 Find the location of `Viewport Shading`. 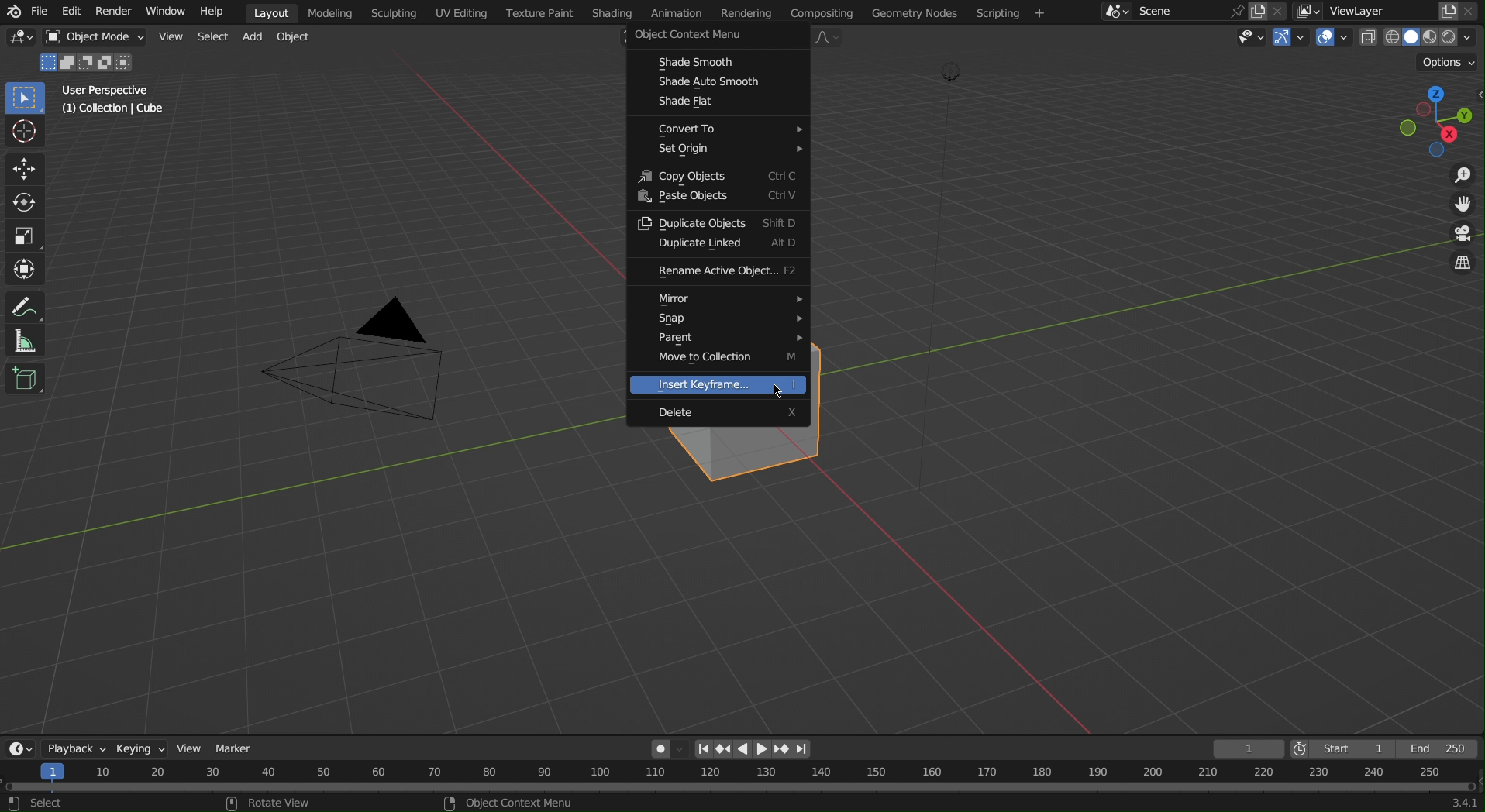

Viewport Shading is located at coordinates (1428, 36).